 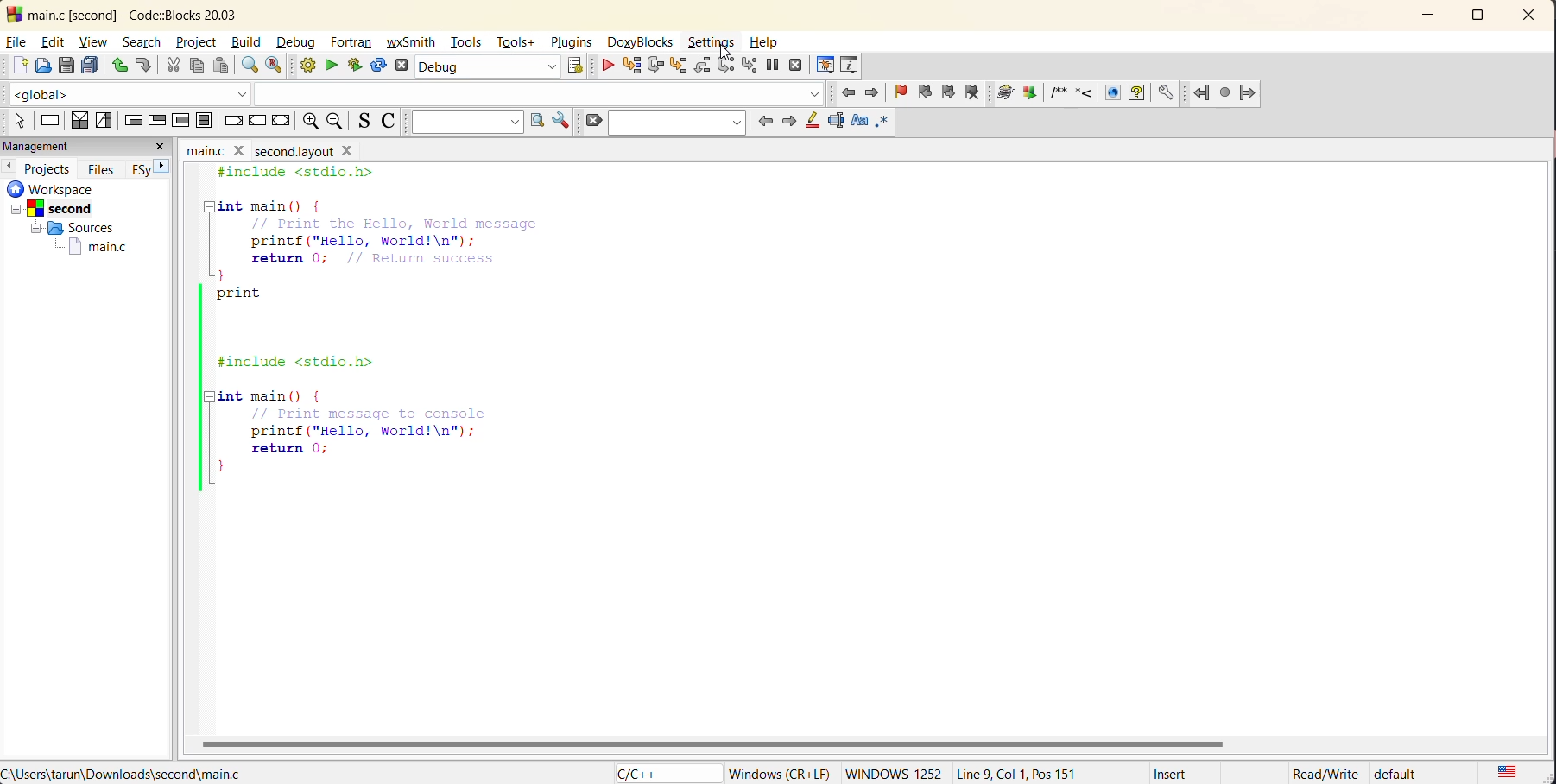 What do you see at coordinates (138, 169) in the screenshot?
I see `FSY` at bounding box center [138, 169].